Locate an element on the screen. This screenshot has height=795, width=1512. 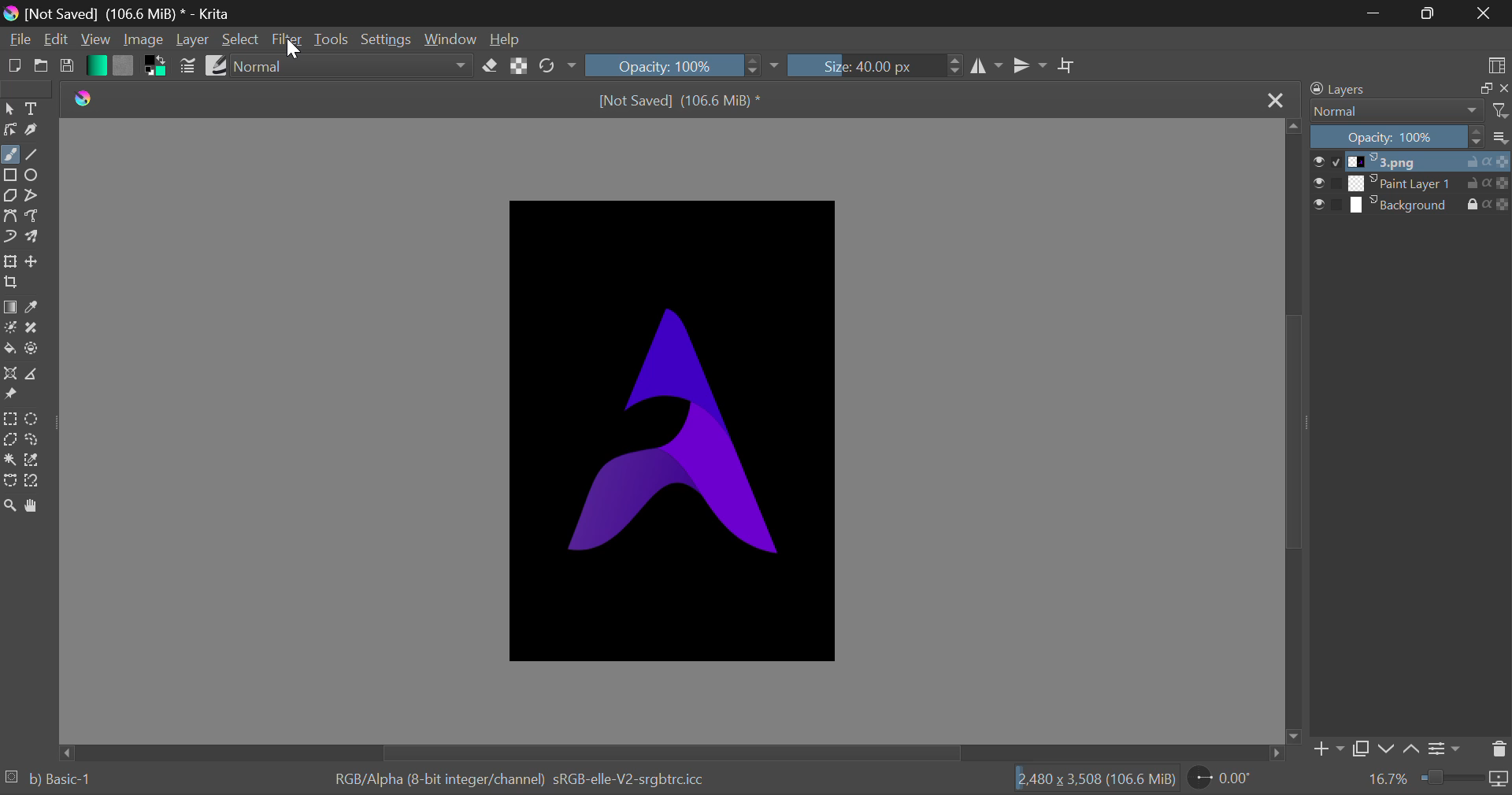
Ellipses is located at coordinates (35, 176).